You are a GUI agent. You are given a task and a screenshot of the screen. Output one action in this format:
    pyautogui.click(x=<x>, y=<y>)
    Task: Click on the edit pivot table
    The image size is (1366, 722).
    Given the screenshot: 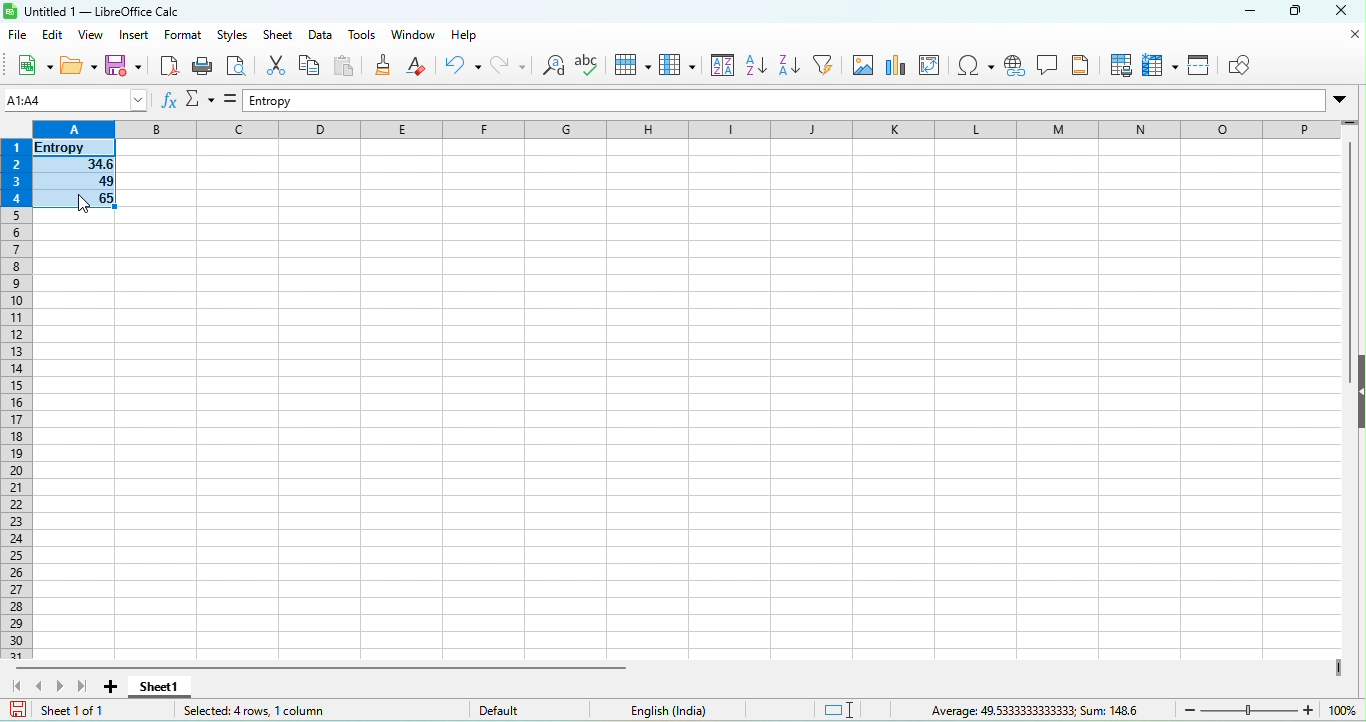 What is the action you would take?
    pyautogui.click(x=935, y=66)
    